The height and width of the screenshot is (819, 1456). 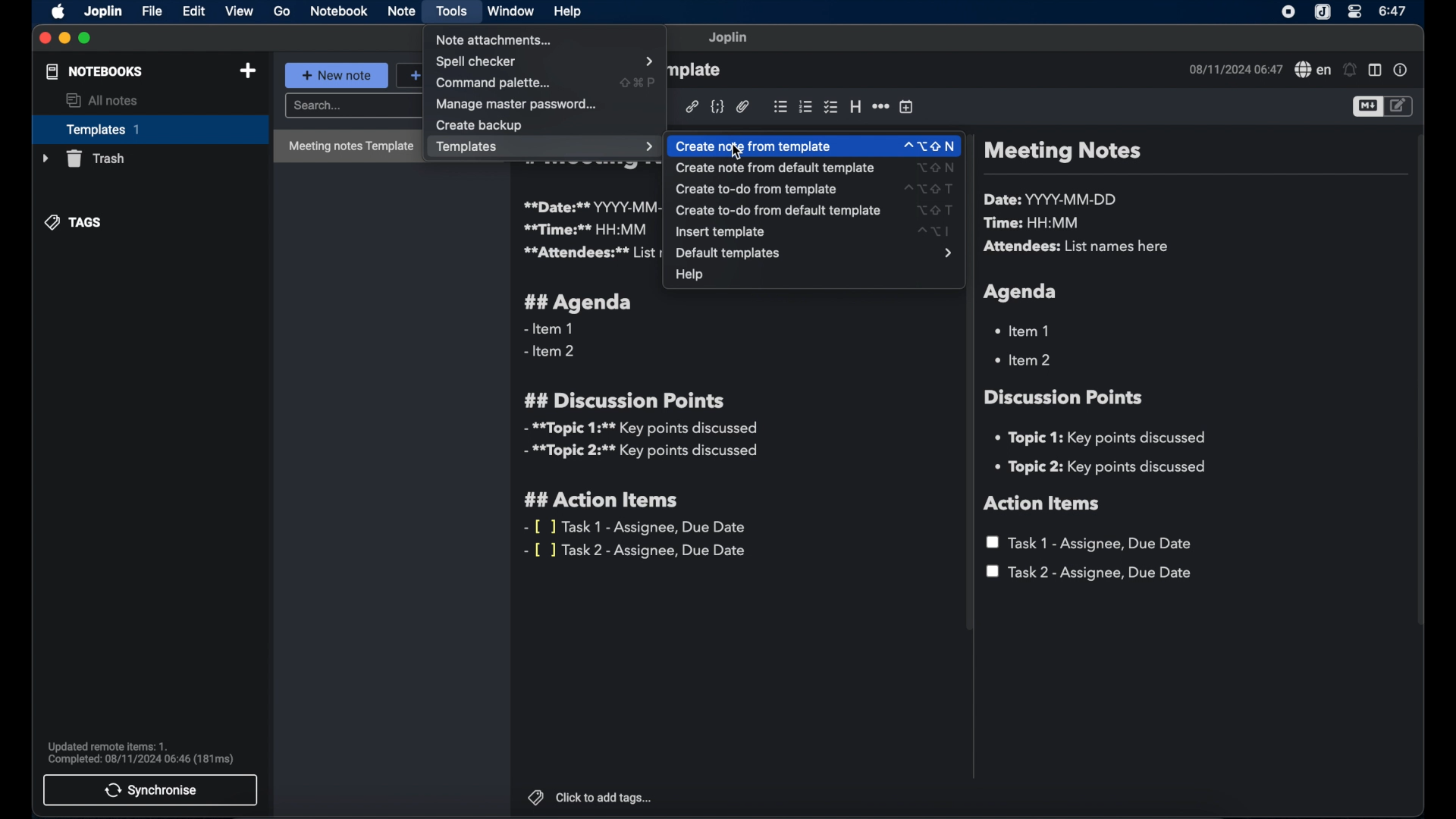 I want to click on minimize, so click(x=64, y=38).